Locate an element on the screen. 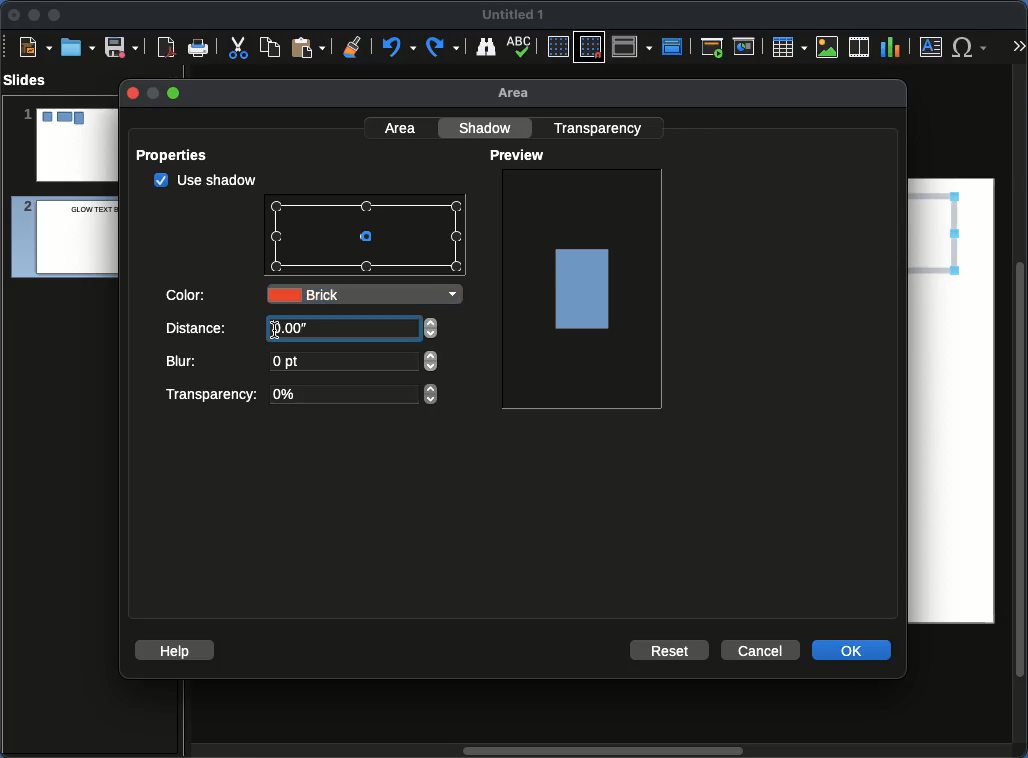  Special characters is located at coordinates (974, 47).